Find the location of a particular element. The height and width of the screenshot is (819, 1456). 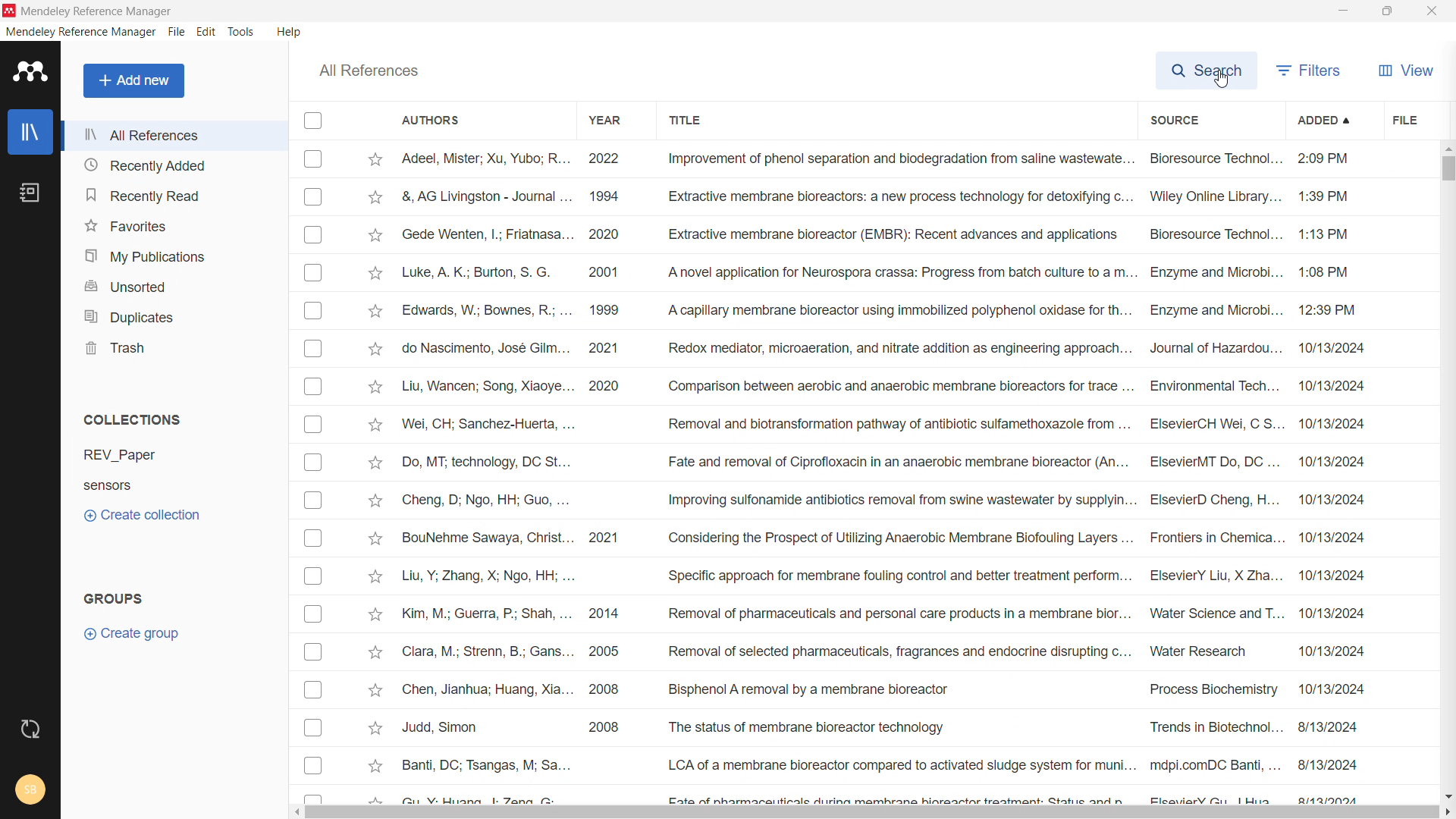

recently added is located at coordinates (175, 165).